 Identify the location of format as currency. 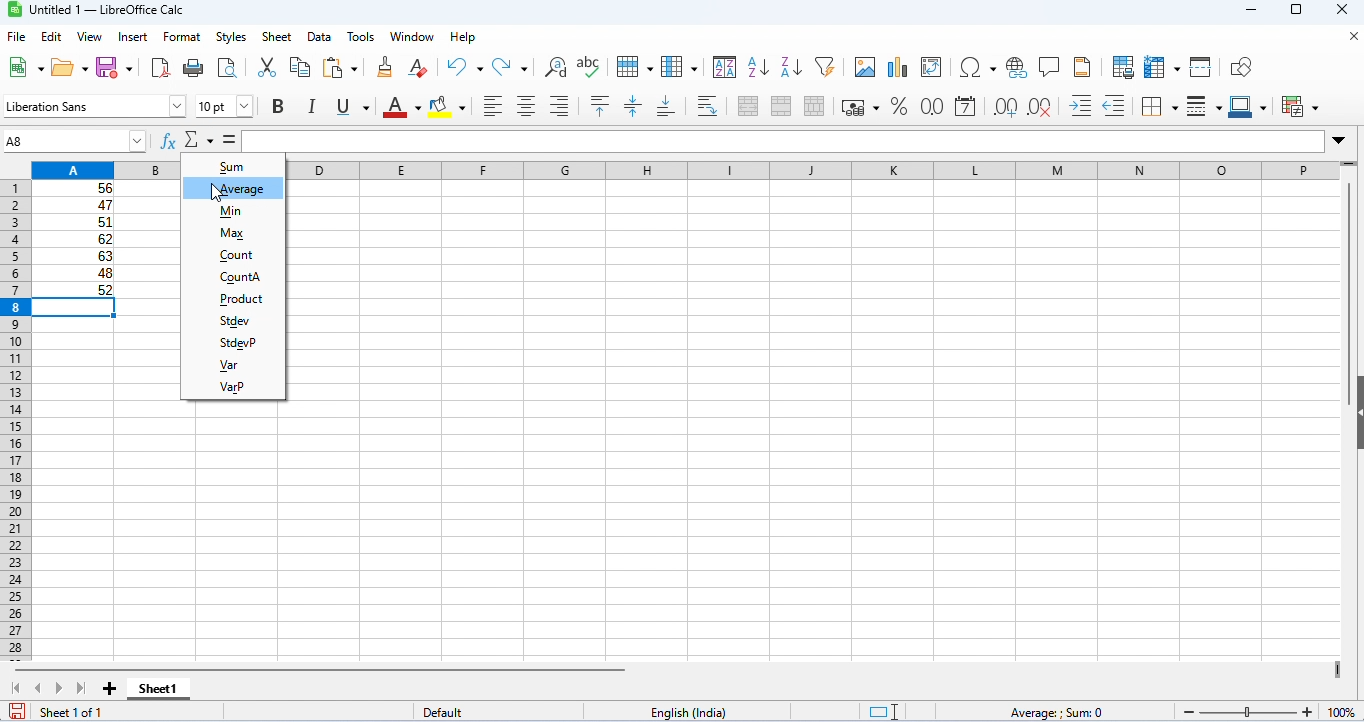
(860, 106).